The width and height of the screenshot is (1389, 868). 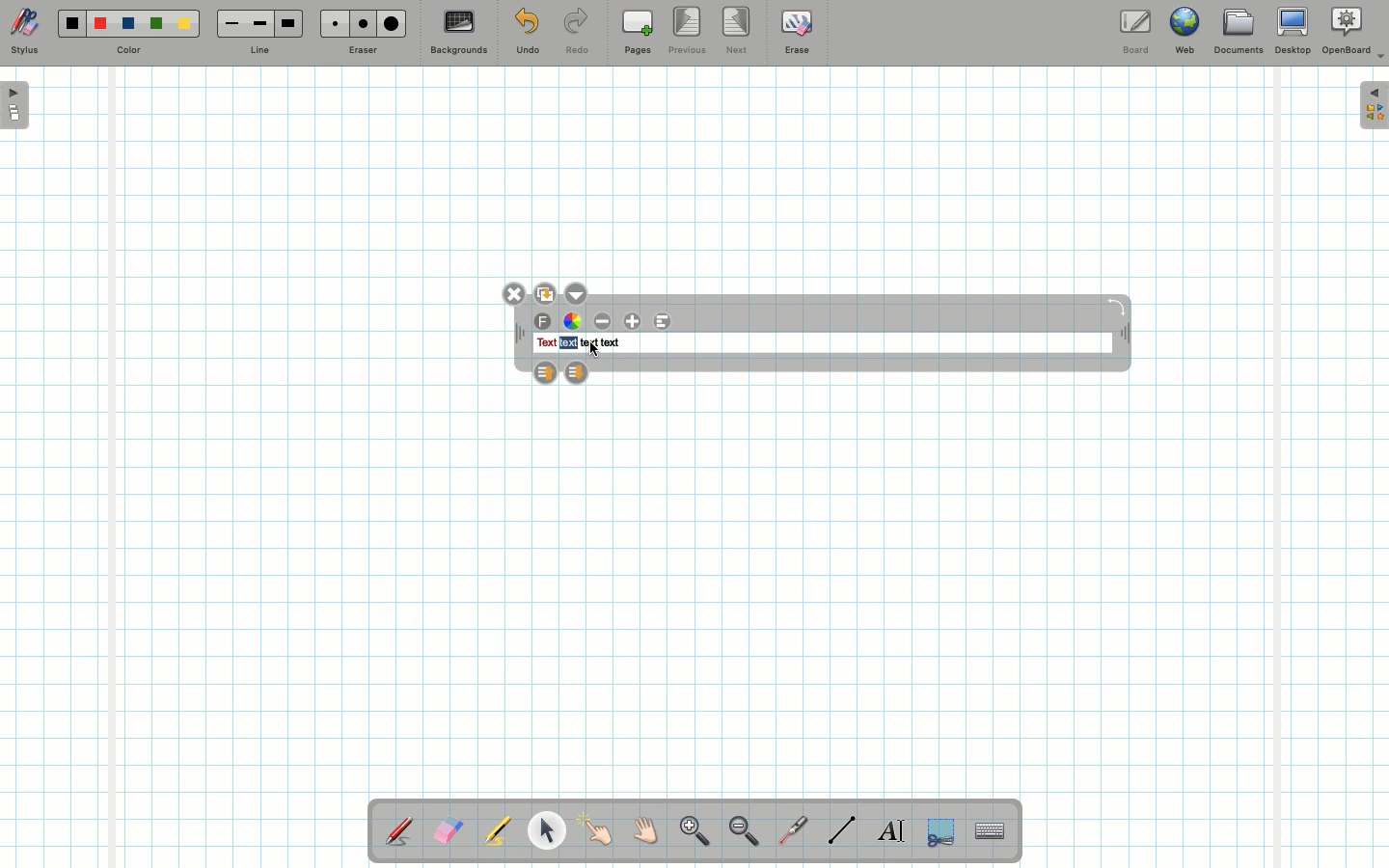 What do you see at coordinates (939, 829) in the screenshot?
I see `Selection` at bounding box center [939, 829].